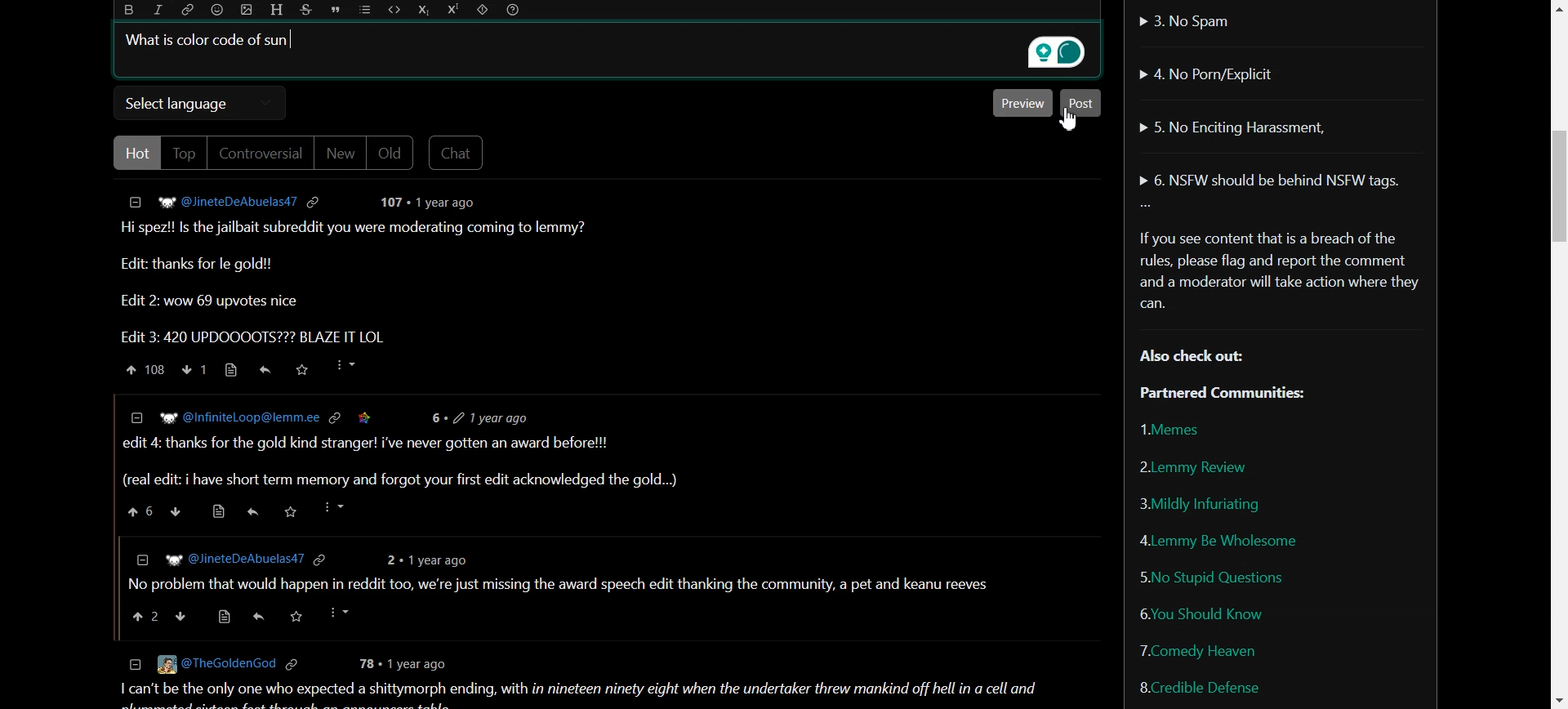 This screenshot has height=709, width=1568. Describe the element at coordinates (255, 558) in the screenshot. I see `] WP @JineteDeAbuelas47` at that location.